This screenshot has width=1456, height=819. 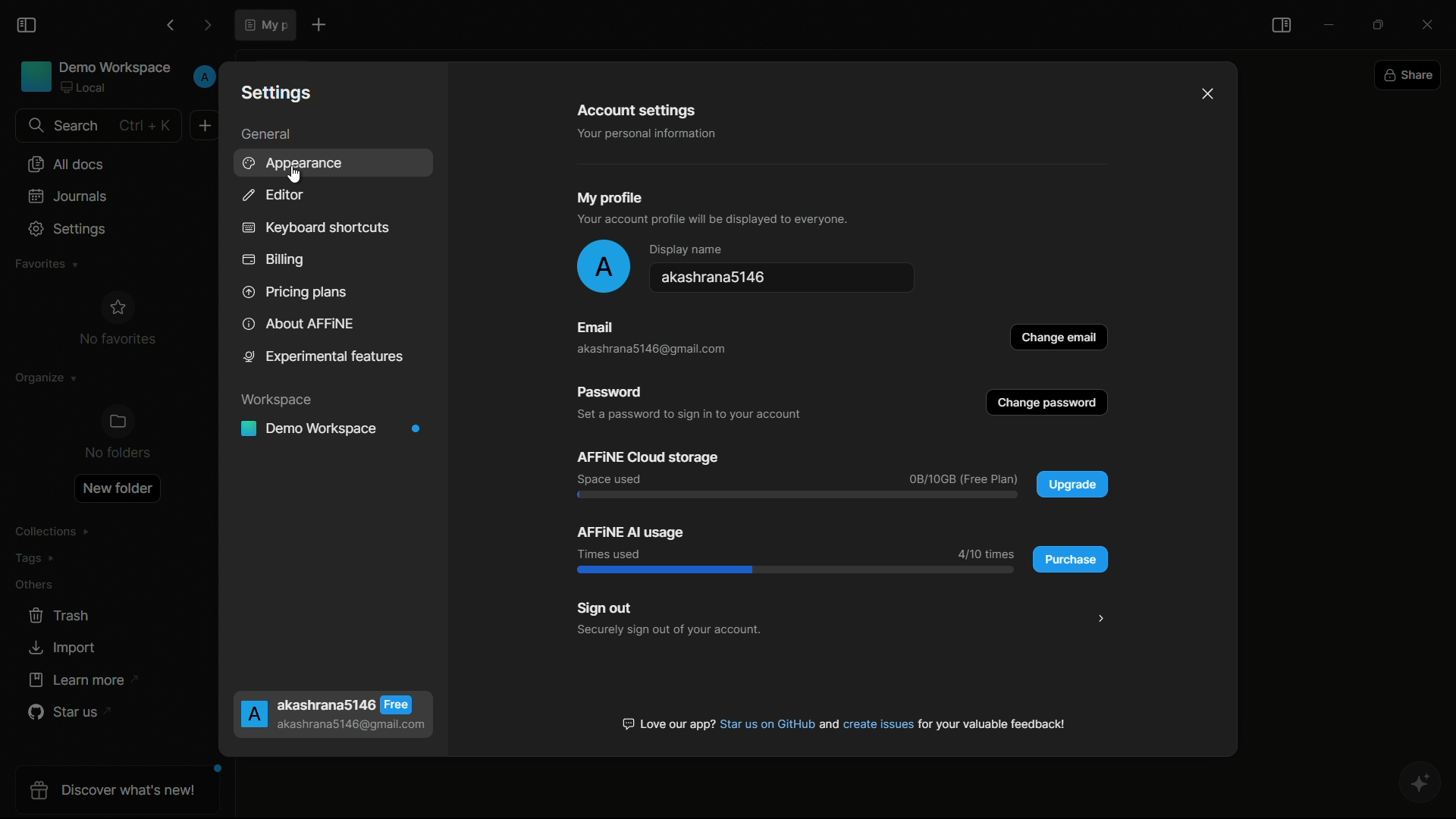 What do you see at coordinates (327, 704) in the screenshot?
I see `akashrana5146 Free` at bounding box center [327, 704].